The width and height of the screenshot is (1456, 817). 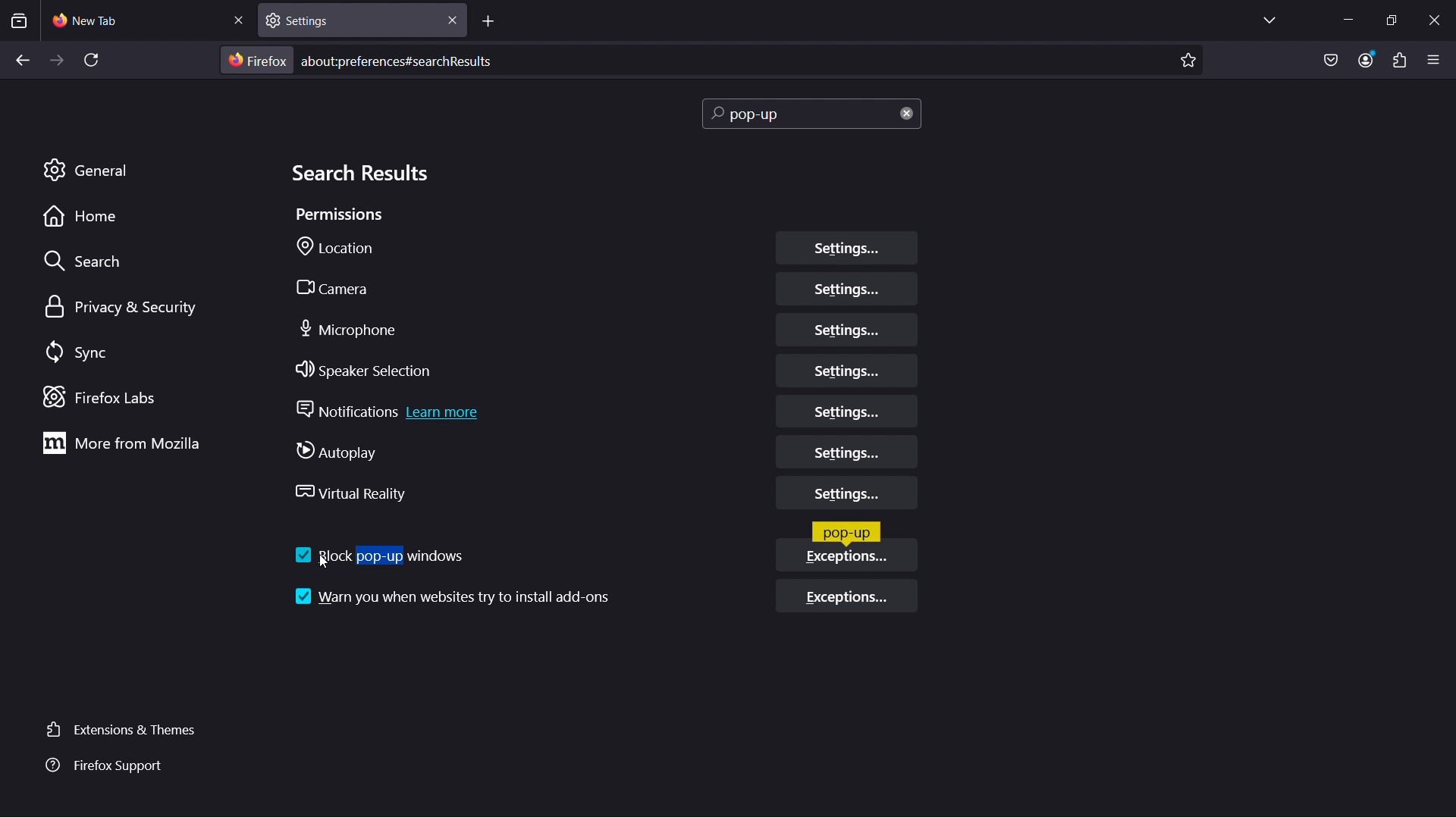 What do you see at coordinates (87, 352) in the screenshot?
I see `Sync` at bounding box center [87, 352].